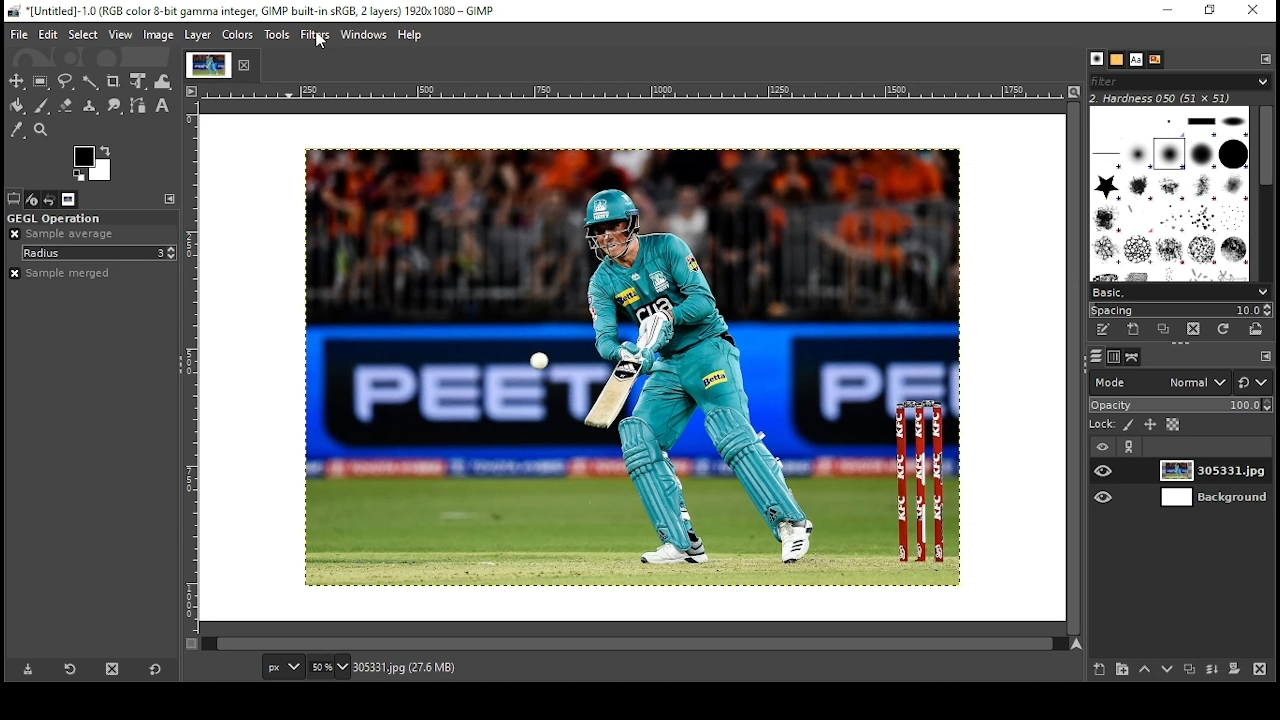  What do you see at coordinates (90, 82) in the screenshot?
I see `fuzzy selection ` at bounding box center [90, 82].